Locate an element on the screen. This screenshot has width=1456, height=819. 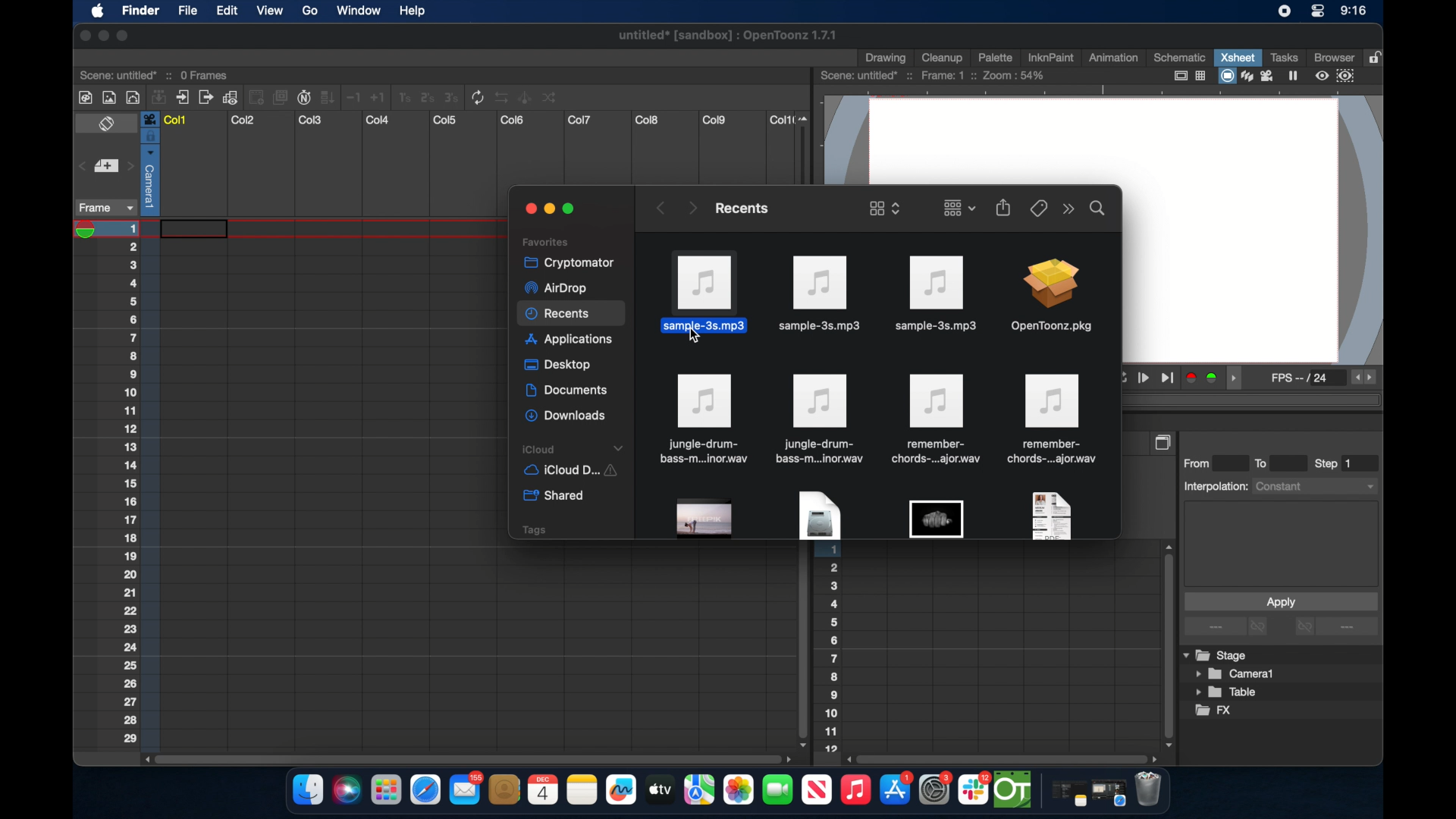
playhead is located at coordinates (90, 230).